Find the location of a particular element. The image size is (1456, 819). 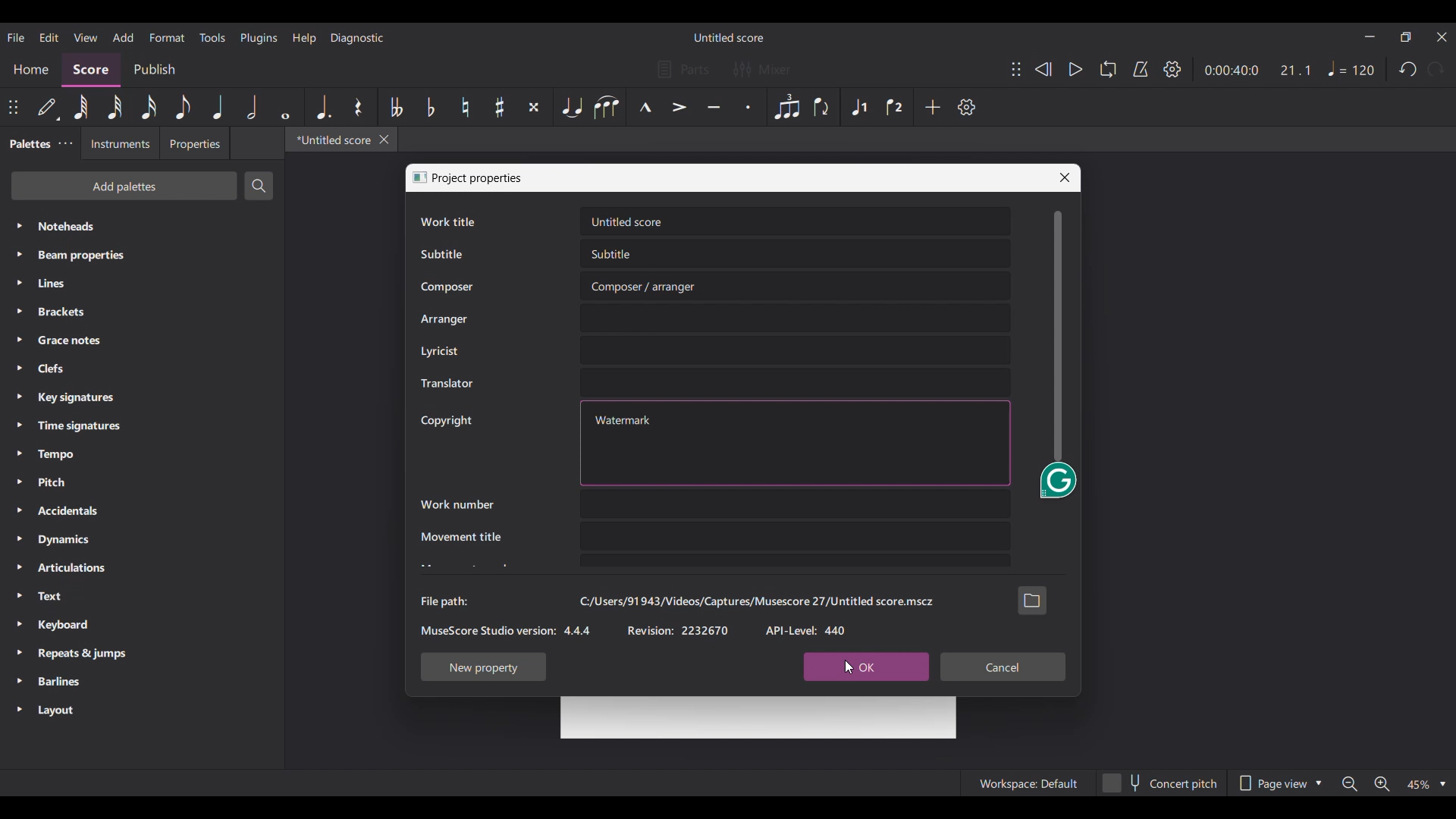

Toggle natural is located at coordinates (466, 107).